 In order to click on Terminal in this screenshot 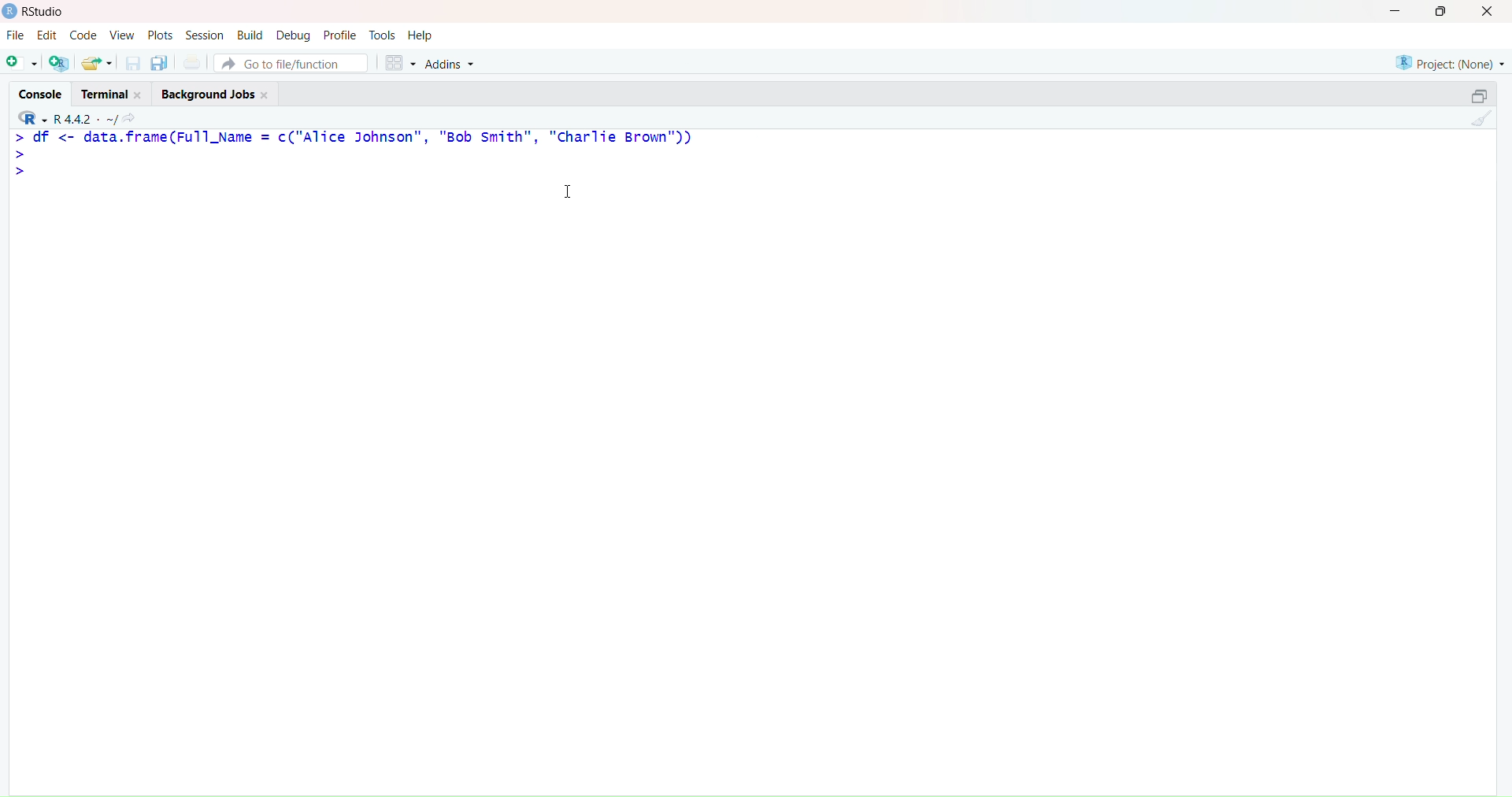, I will do `click(113, 91)`.